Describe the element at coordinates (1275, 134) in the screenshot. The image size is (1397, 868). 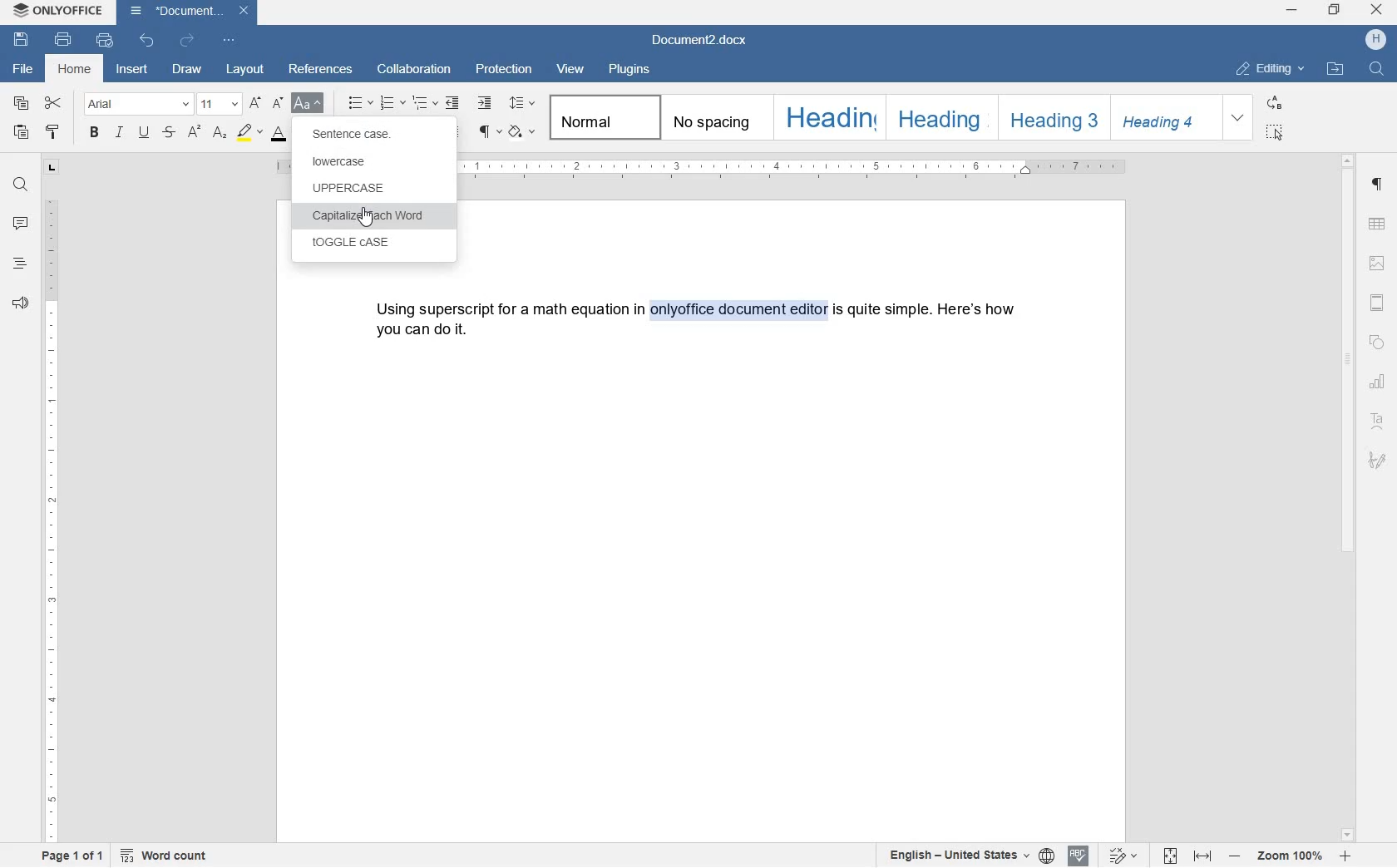
I see `SELECT ALL` at that location.